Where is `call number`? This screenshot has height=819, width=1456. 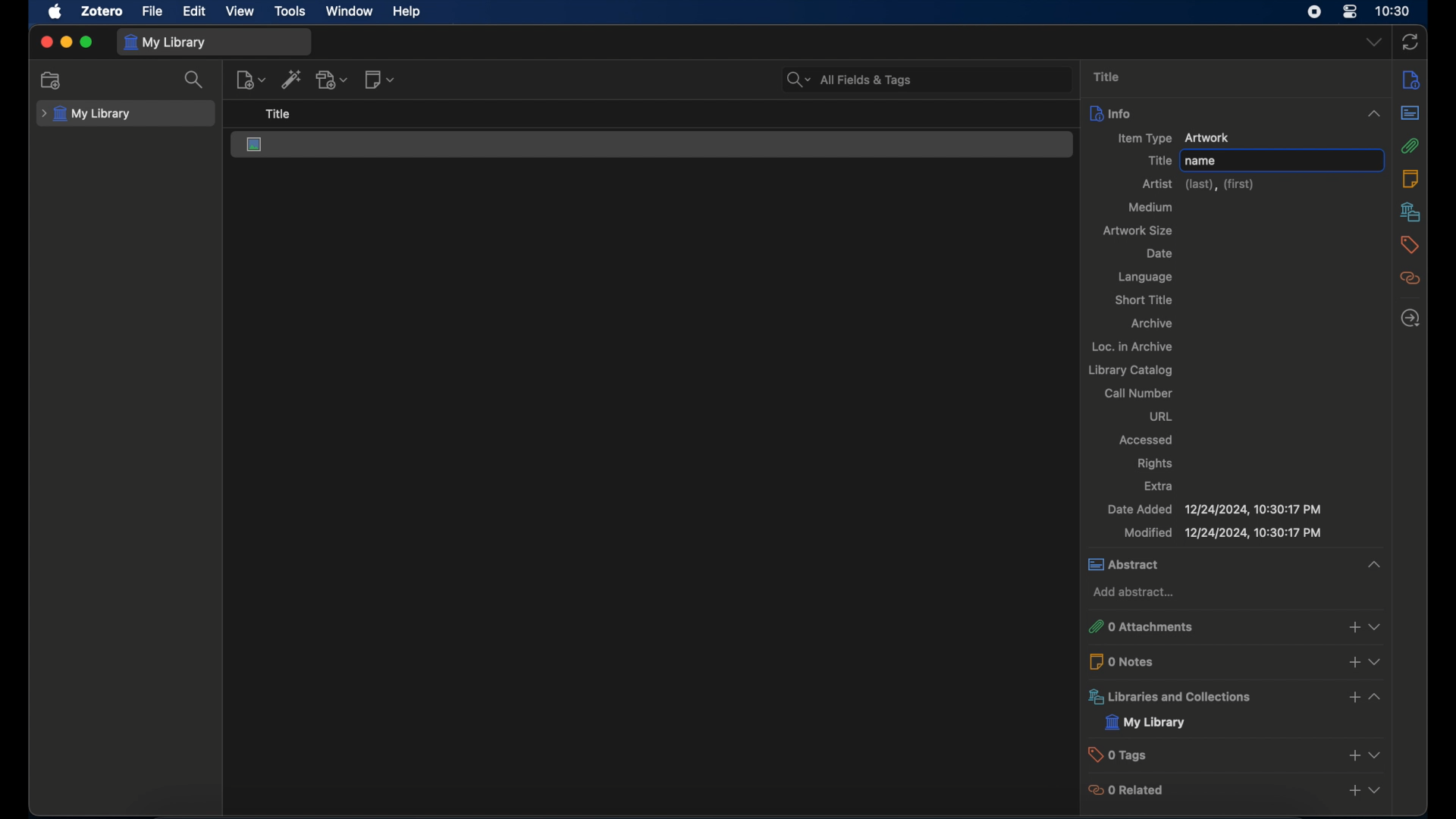
call number is located at coordinates (1138, 394).